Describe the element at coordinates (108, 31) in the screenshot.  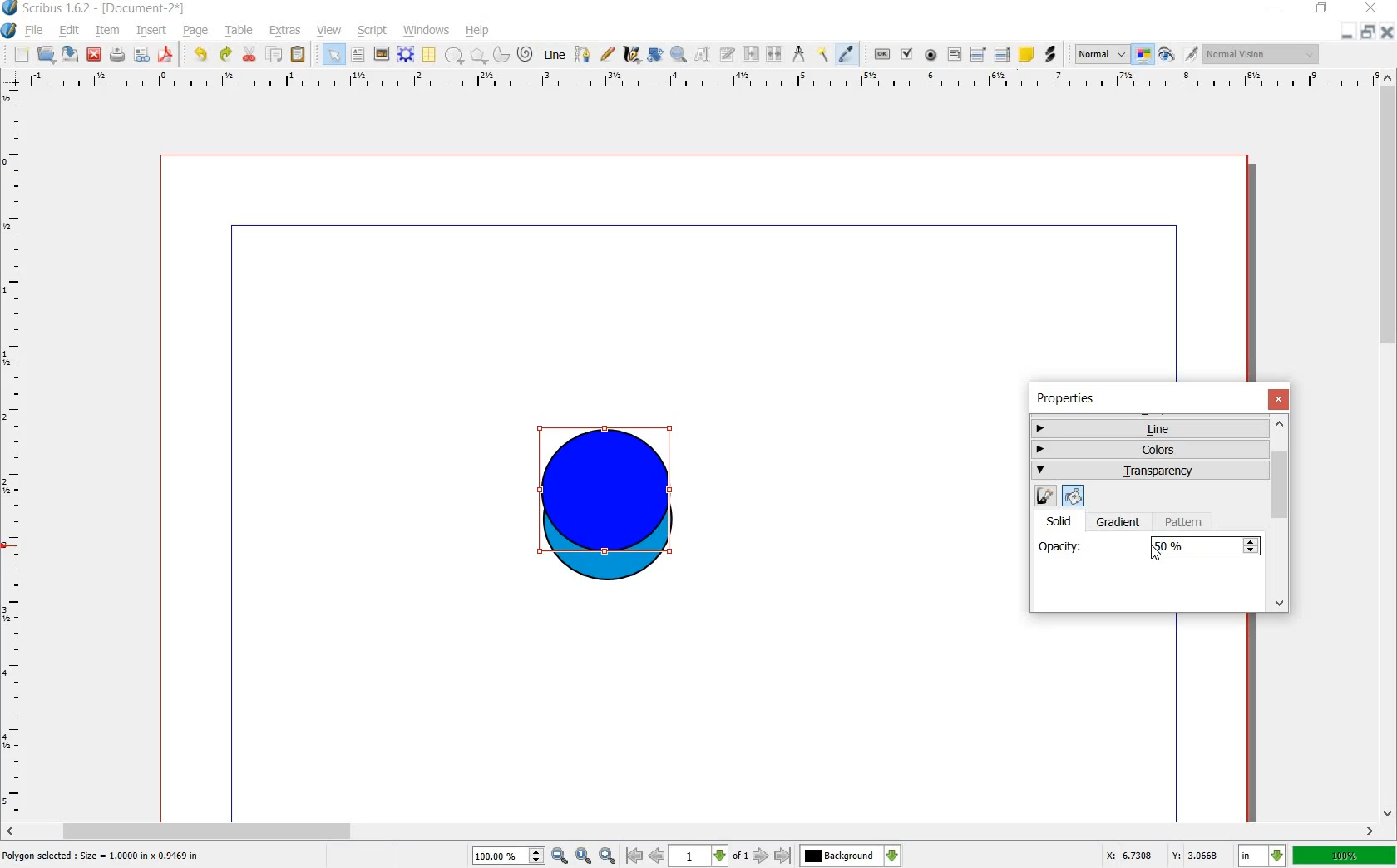
I see `item` at that location.